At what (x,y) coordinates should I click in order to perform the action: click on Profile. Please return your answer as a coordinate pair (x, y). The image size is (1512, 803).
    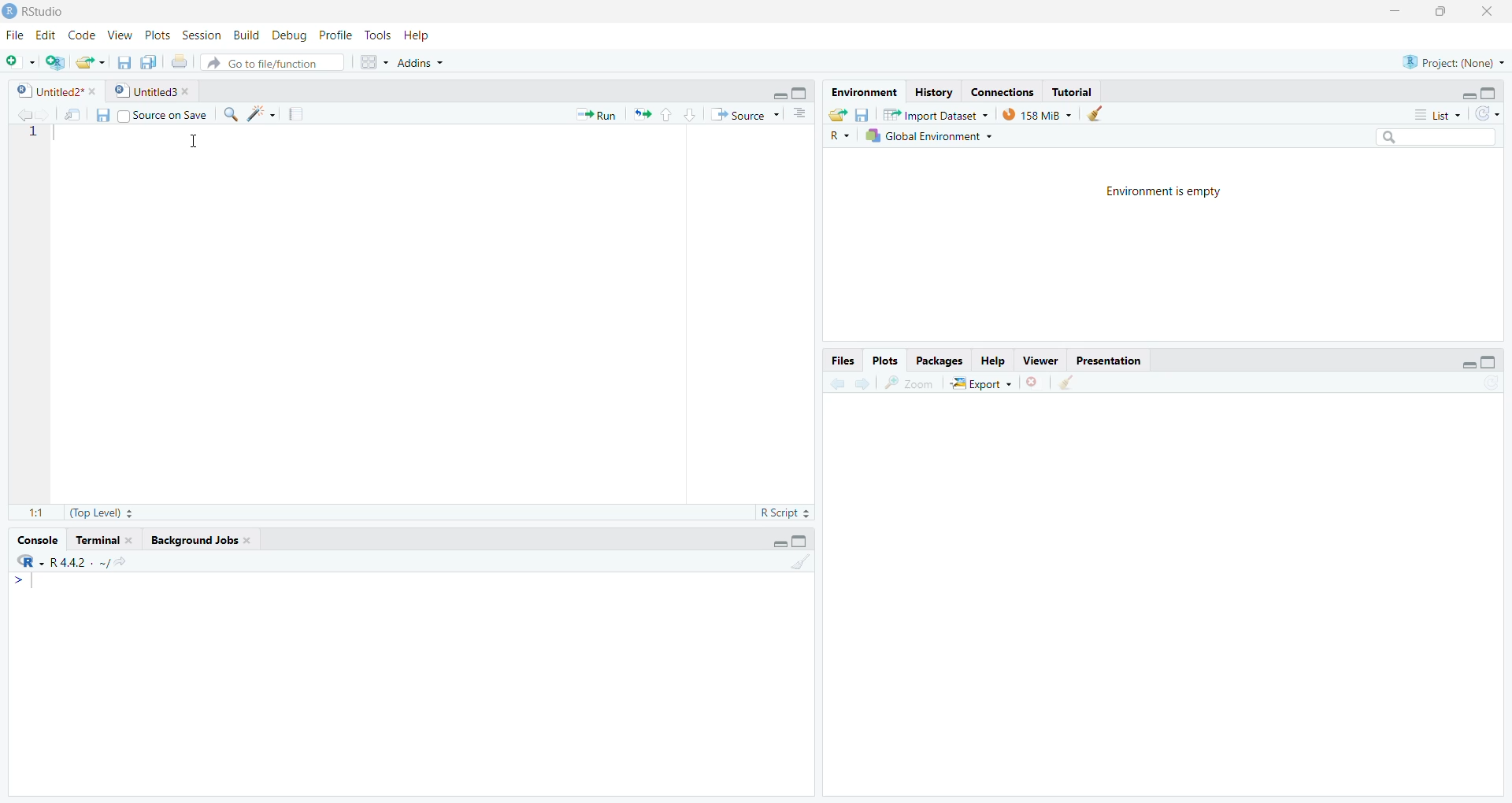
    Looking at the image, I should click on (333, 35).